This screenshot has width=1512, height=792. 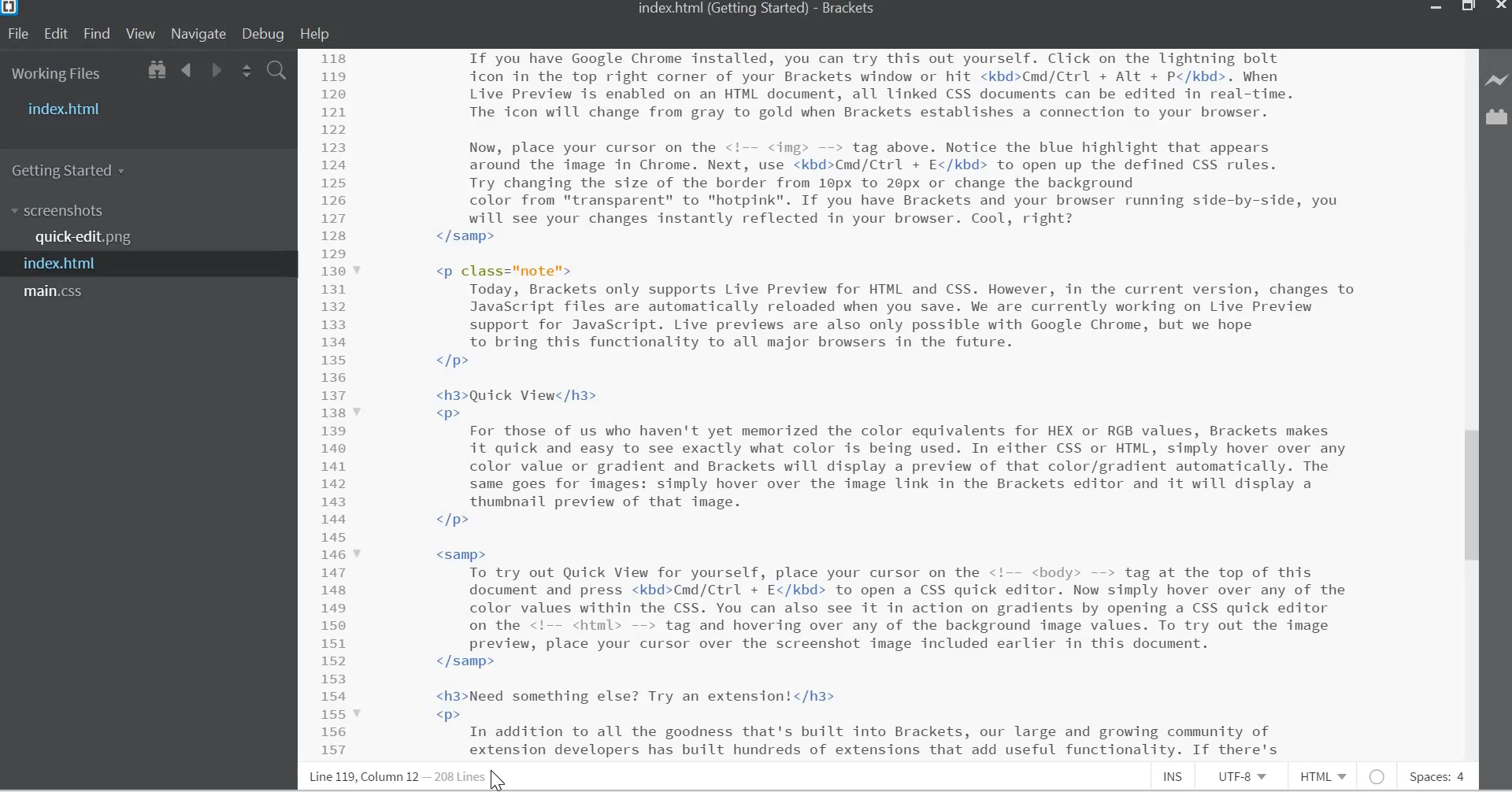 What do you see at coordinates (146, 263) in the screenshot?
I see `index.html file name` at bounding box center [146, 263].